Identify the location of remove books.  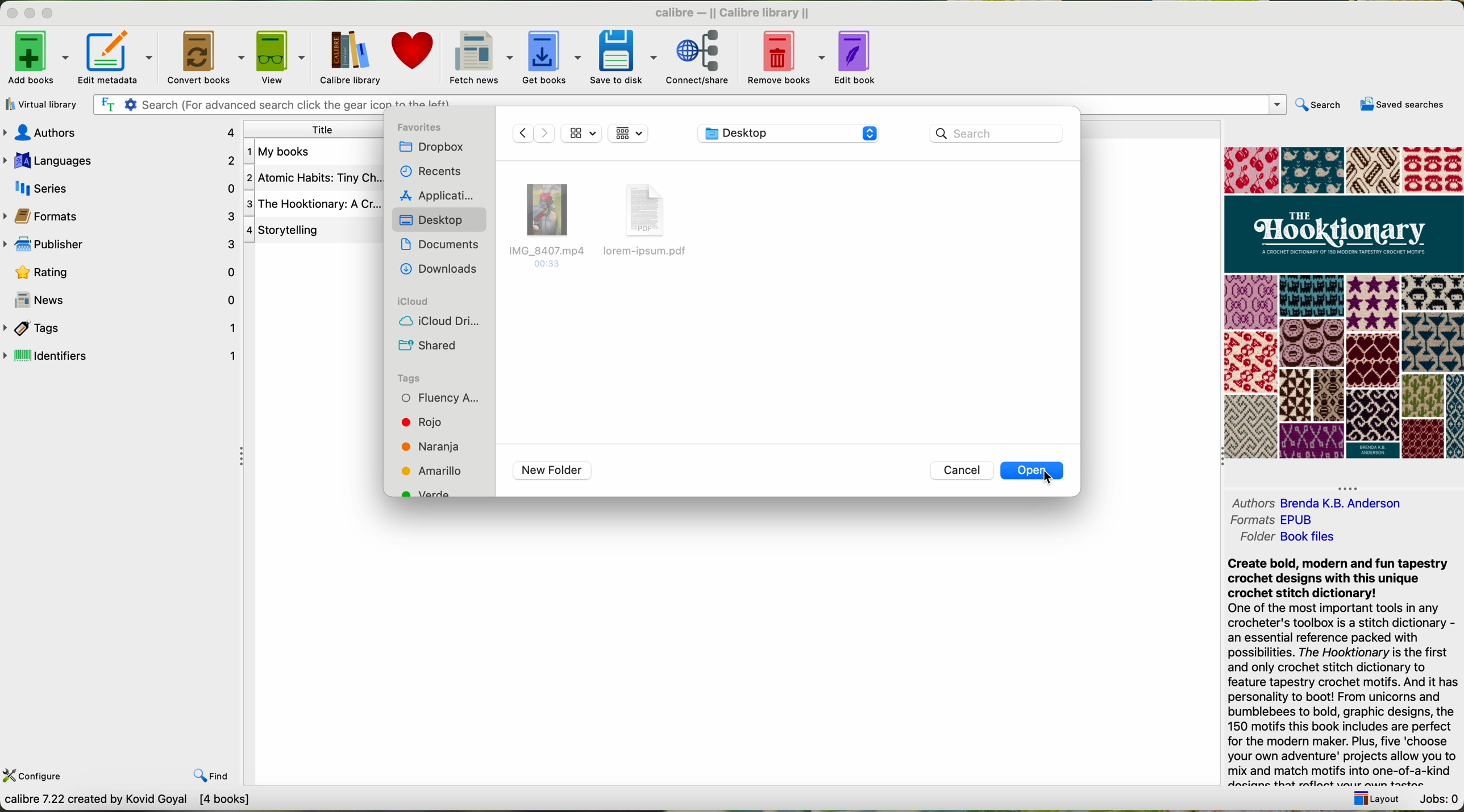
(787, 57).